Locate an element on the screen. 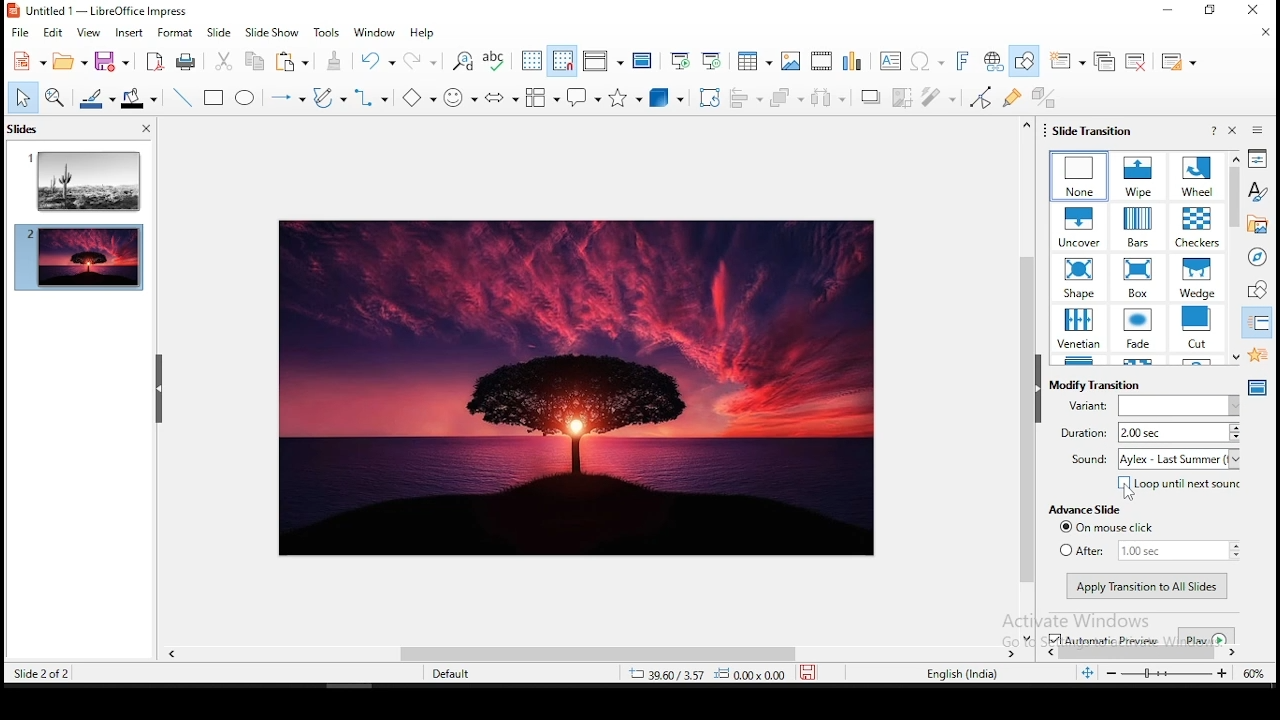 This screenshot has width=1280, height=720. show grid is located at coordinates (531, 63).